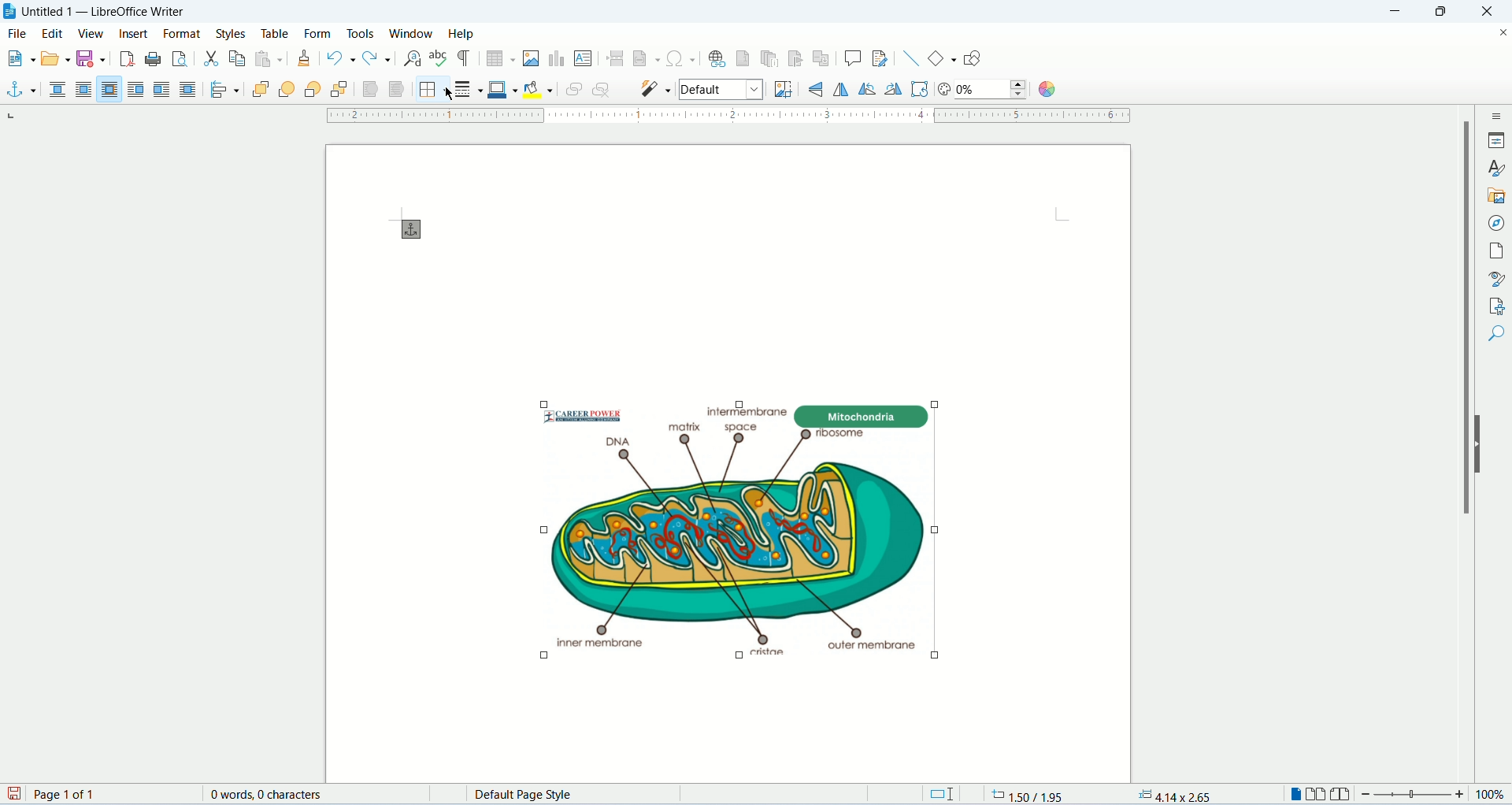  I want to click on through, so click(187, 89).